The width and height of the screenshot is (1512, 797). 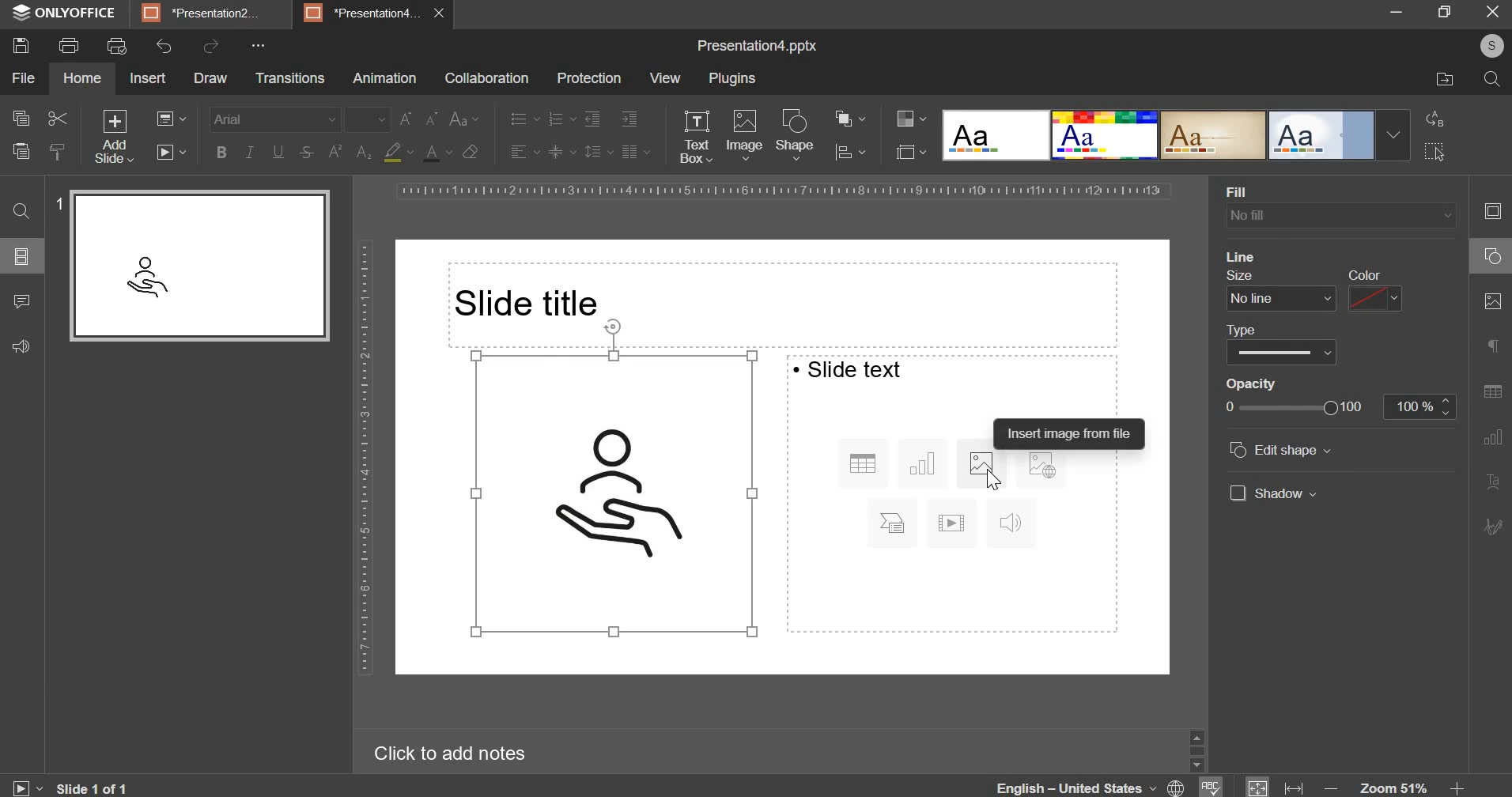 I want to click on paste, so click(x=20, y=149).